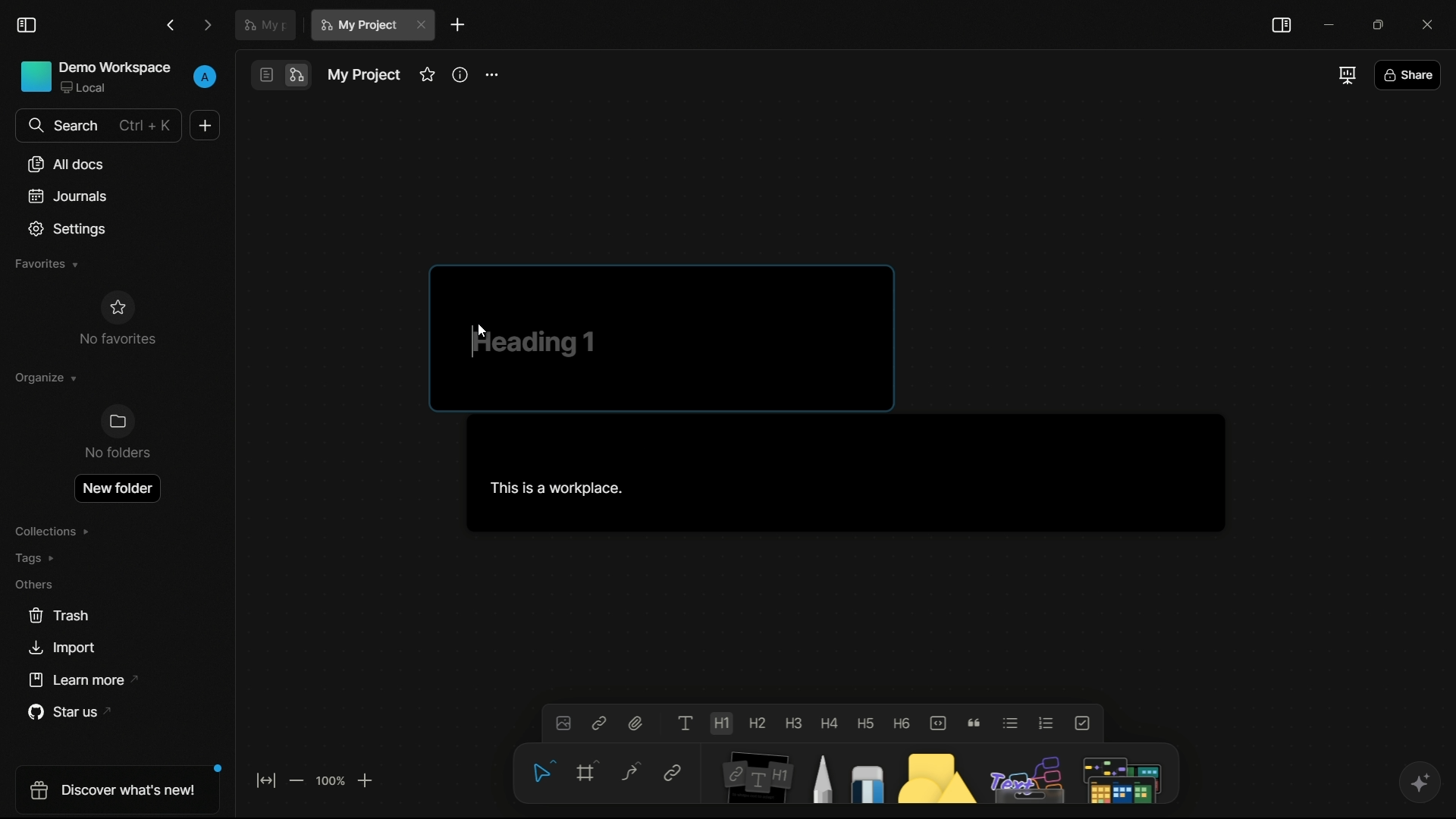 The image size is (1456, 819). What do you see at coordinates (34, 583) in the screenshot?
I see `others` at bounding box center [34, 583].